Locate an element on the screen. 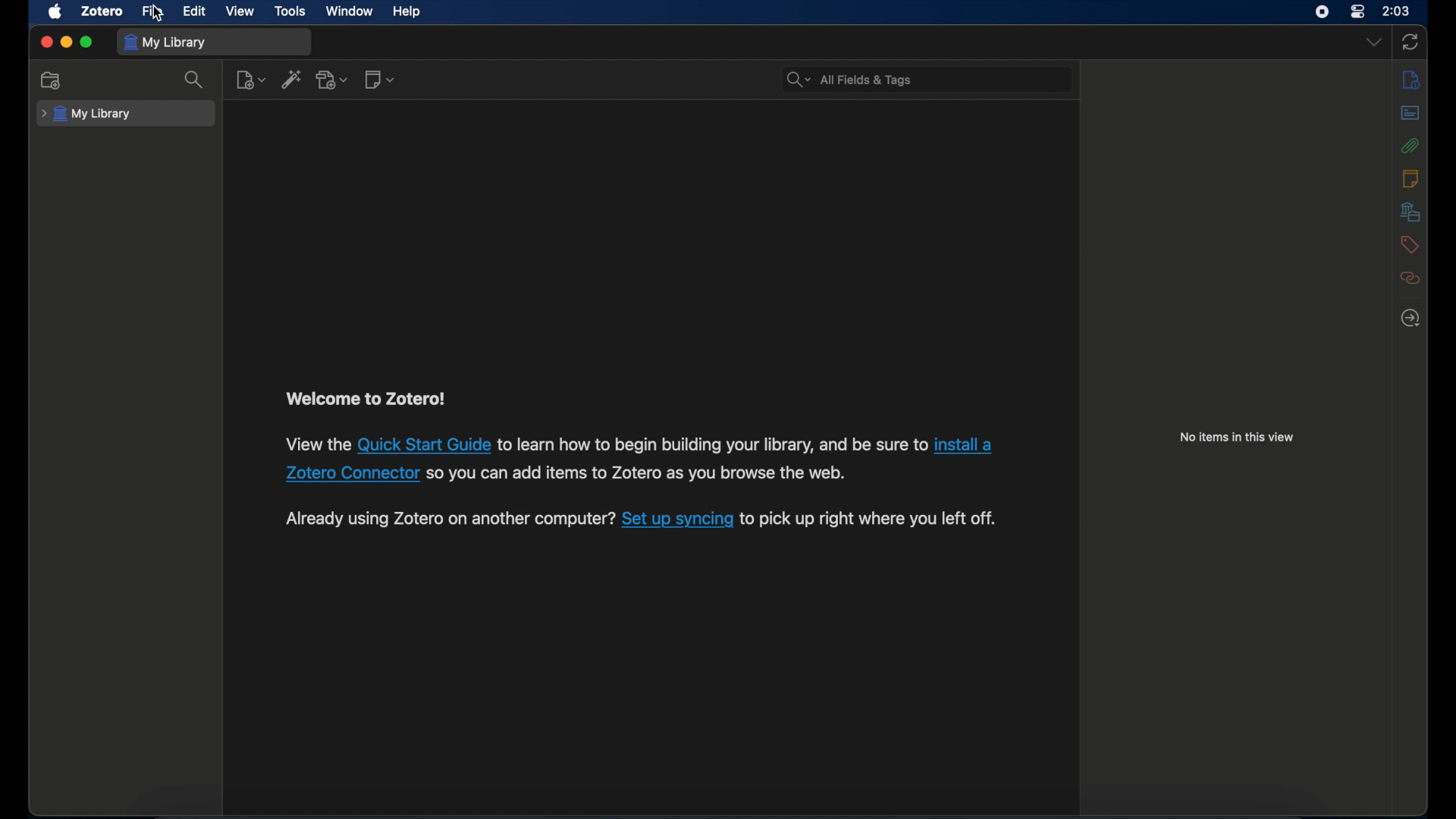 The image size is (1456, 819). control center is located at coordinates (1357, 12).